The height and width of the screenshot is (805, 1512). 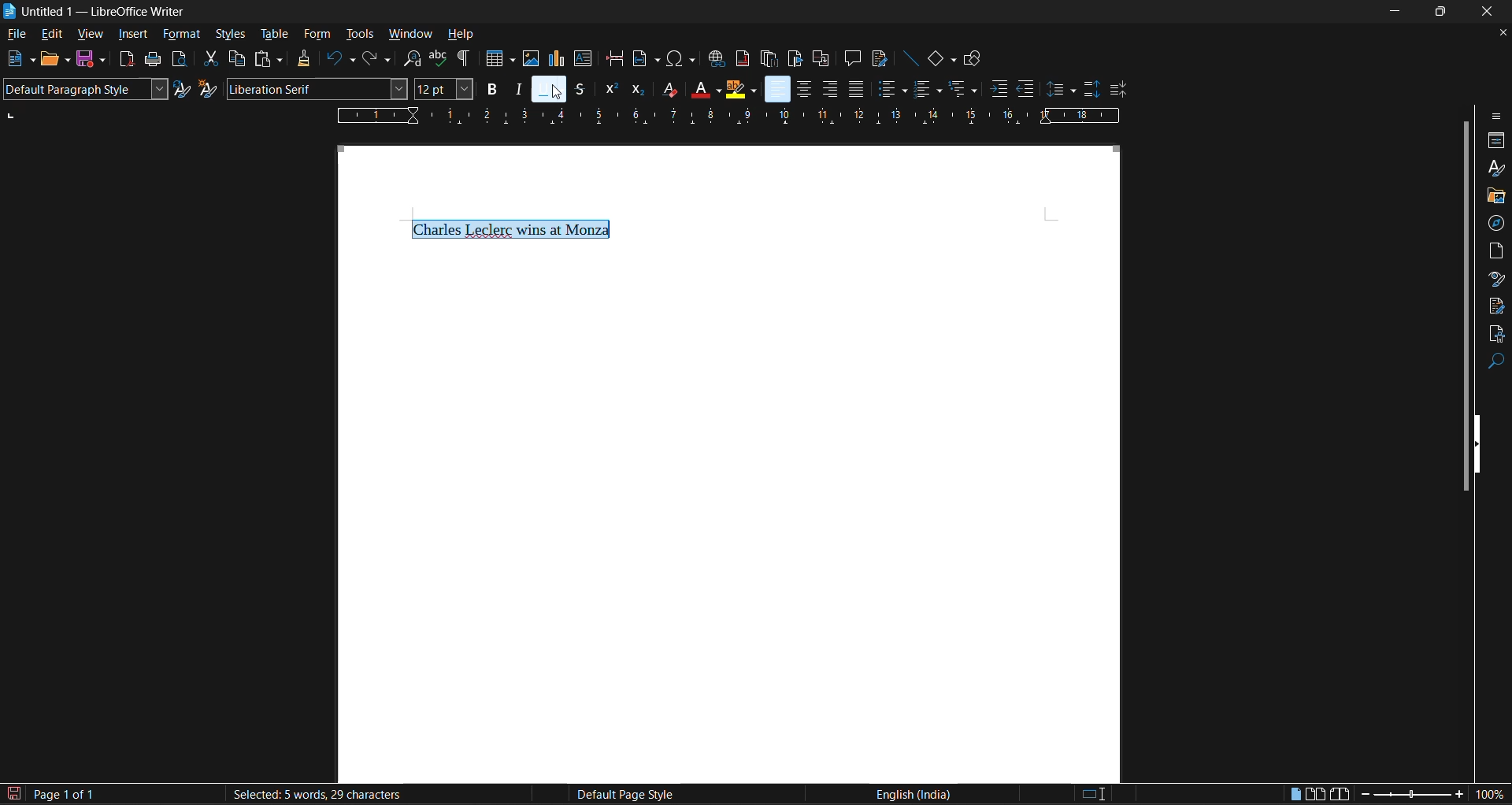 I want to click on insert endnote, so click(x=768, y=60).